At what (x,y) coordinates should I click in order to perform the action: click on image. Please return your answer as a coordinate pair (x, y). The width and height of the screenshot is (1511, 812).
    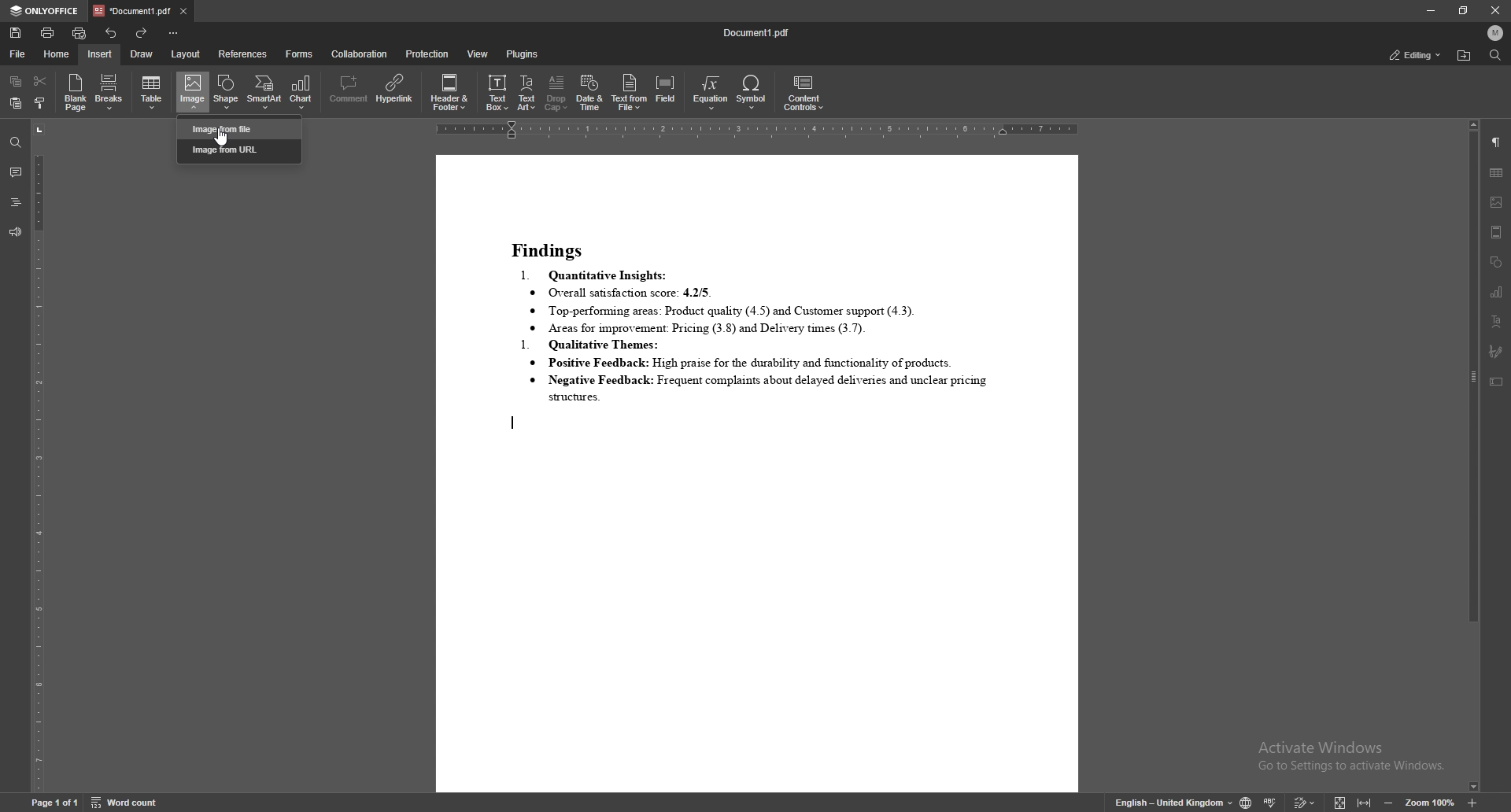
    Looking at the image, I should click on (1498, 202).